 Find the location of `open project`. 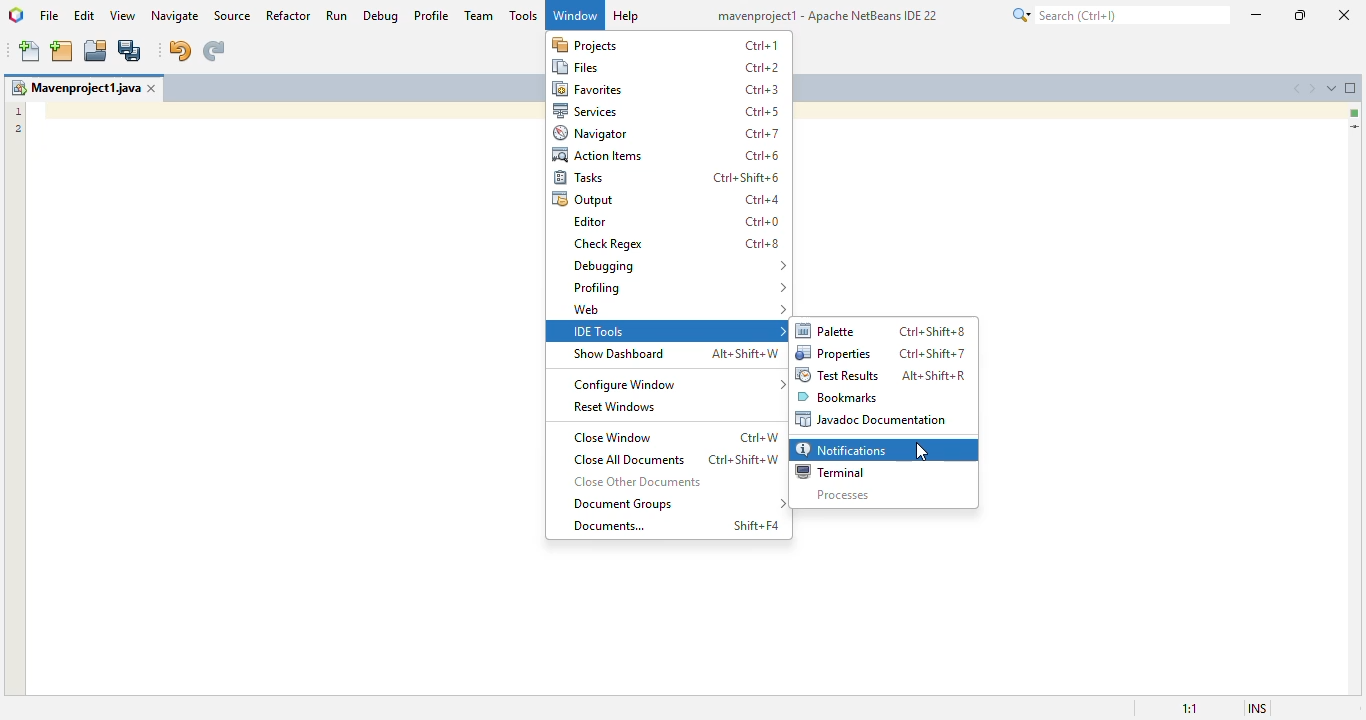

open project is located at coordinates (96, 50).